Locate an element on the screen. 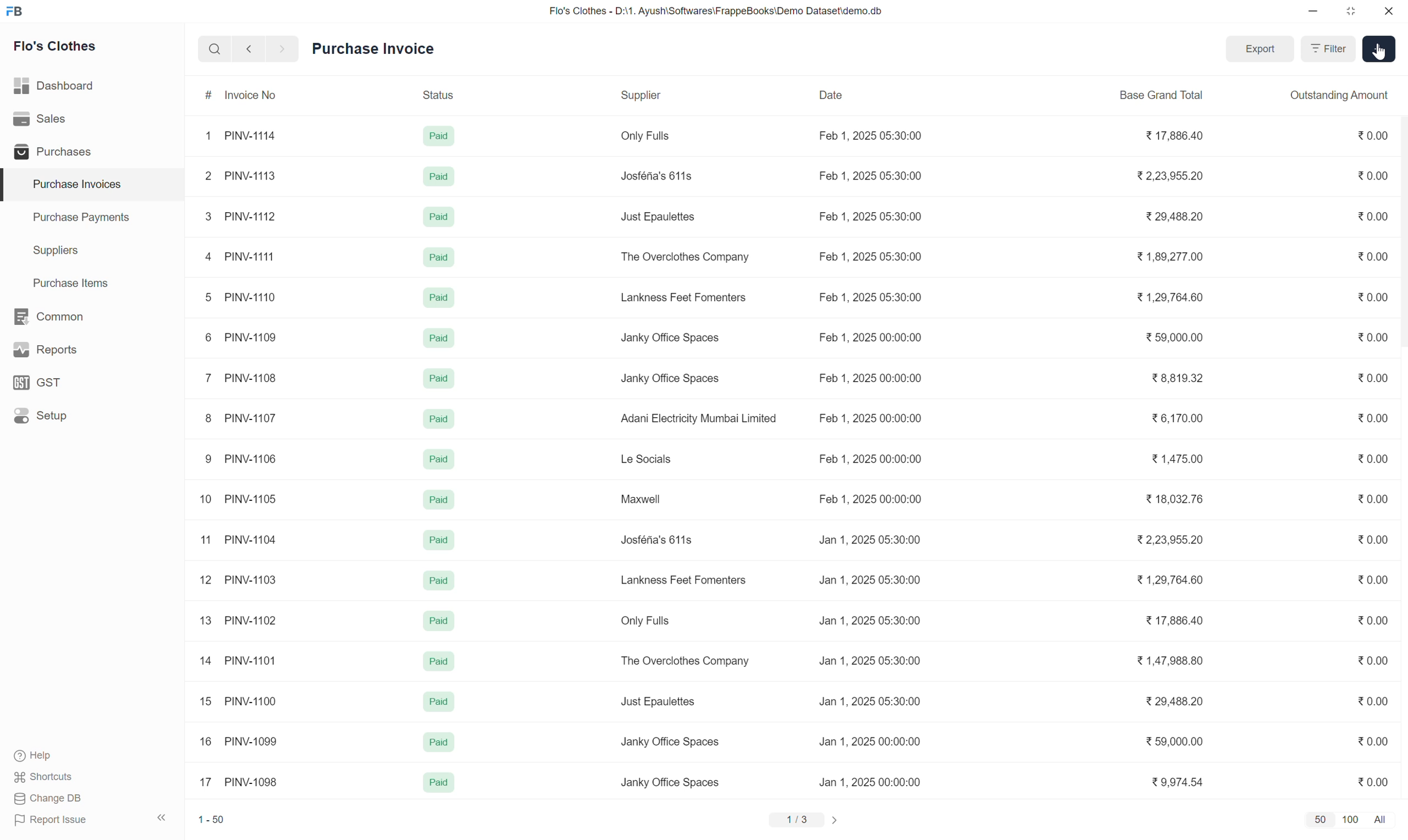 This screenshot has height=840, width=1408. Lankness Feet Fomenters is located at coordinates (684, 297).